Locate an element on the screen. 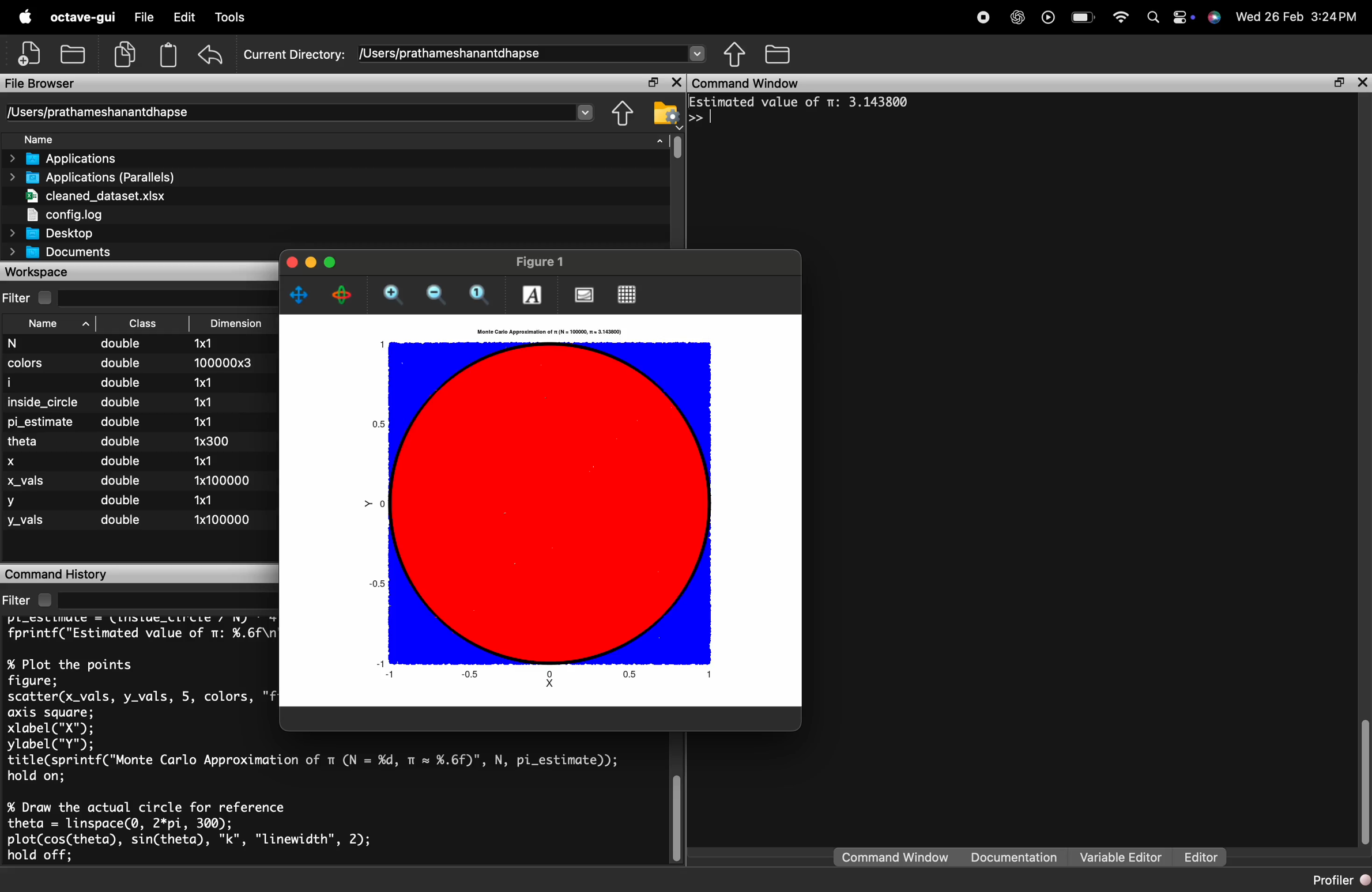 Image resolution: width=1372 pixels, height=892 pixels. Command Window is located at coordinates (896, 857).